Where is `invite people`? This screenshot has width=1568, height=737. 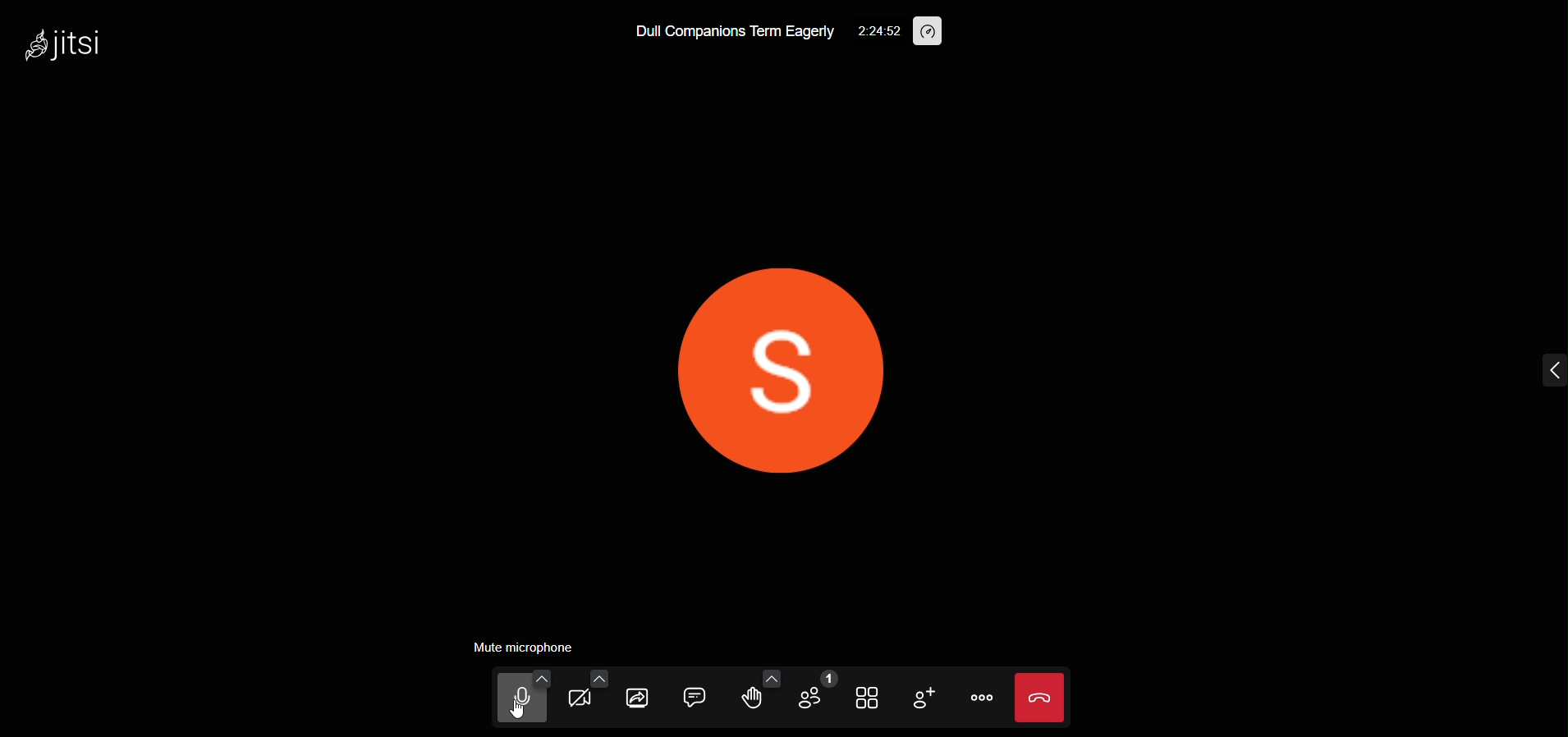 invite people is located at coordinates (916, 697).